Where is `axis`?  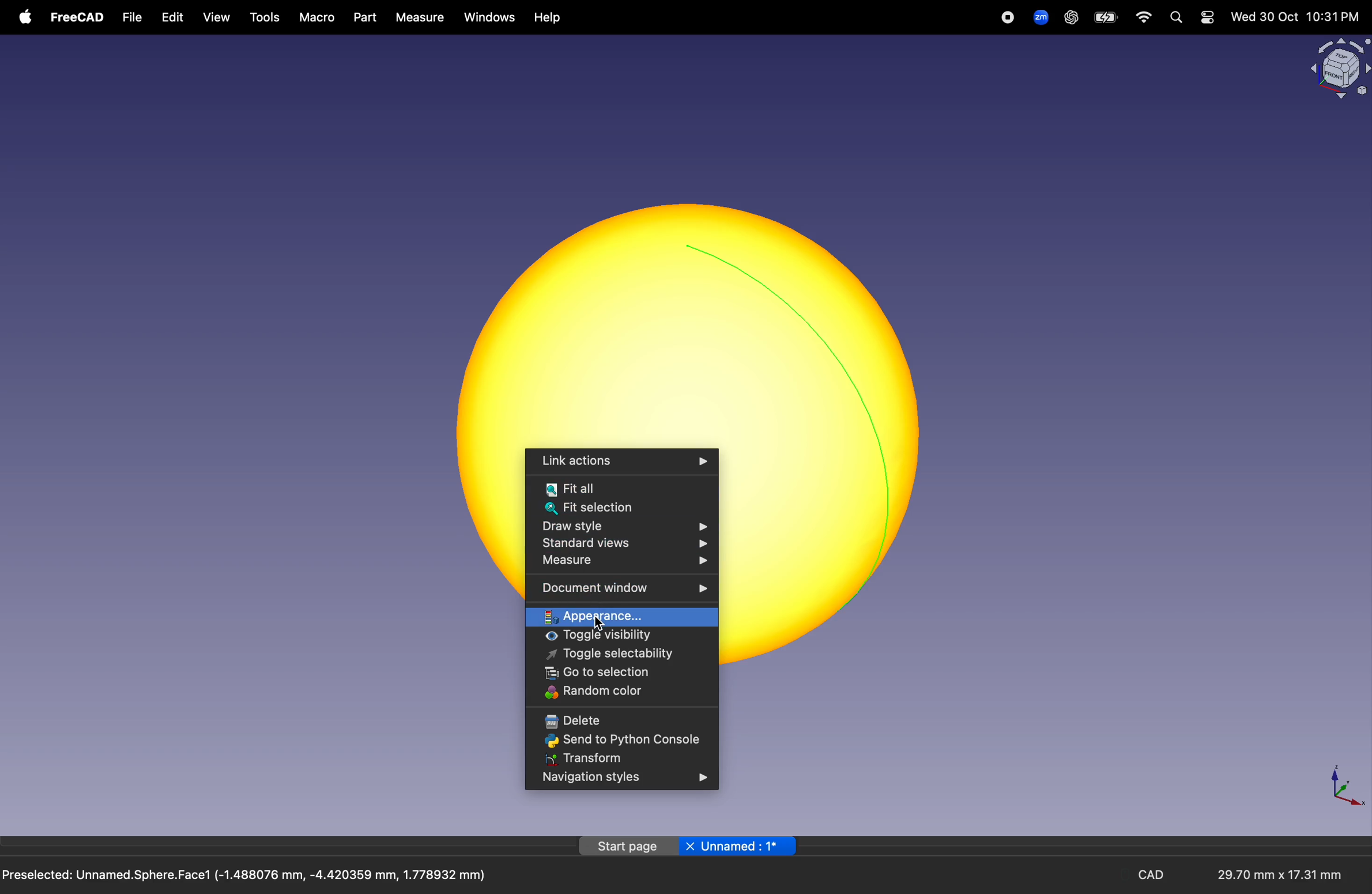 axis is located at coordinates (1344, 784).